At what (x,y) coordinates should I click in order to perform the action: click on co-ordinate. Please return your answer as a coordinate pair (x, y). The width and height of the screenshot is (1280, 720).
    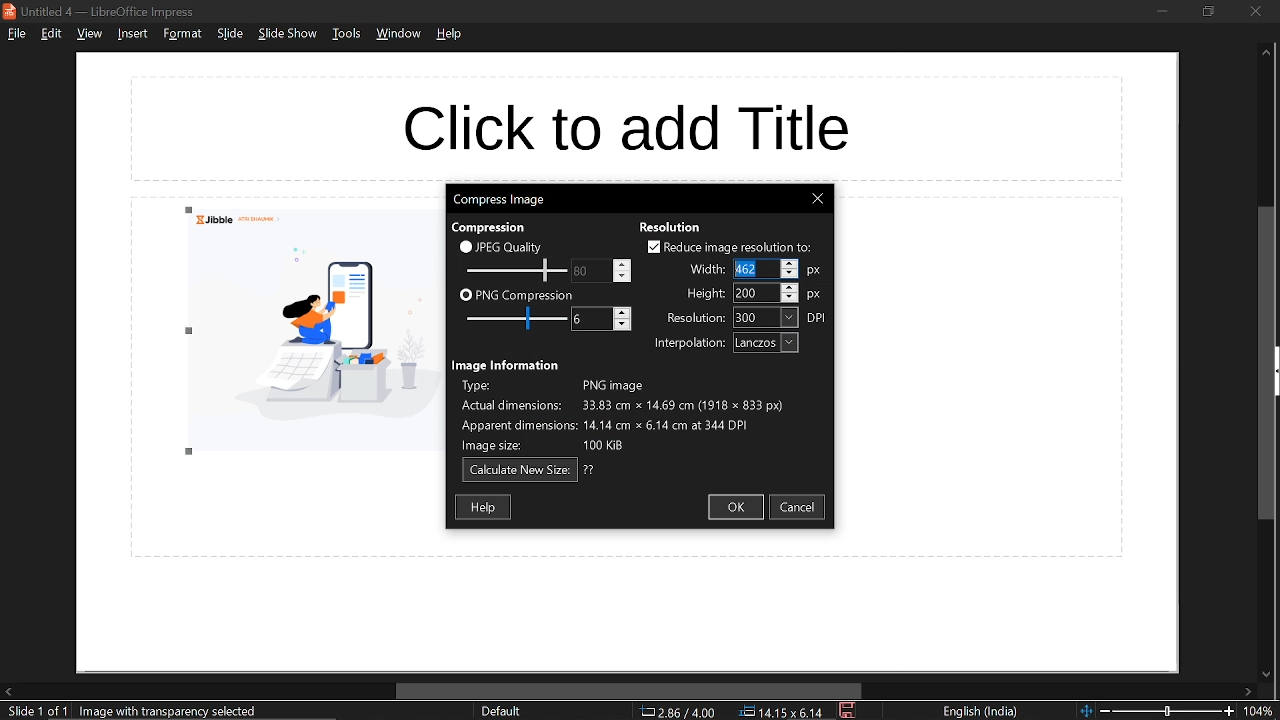
    Looking at the image, I should click on (678, 711).